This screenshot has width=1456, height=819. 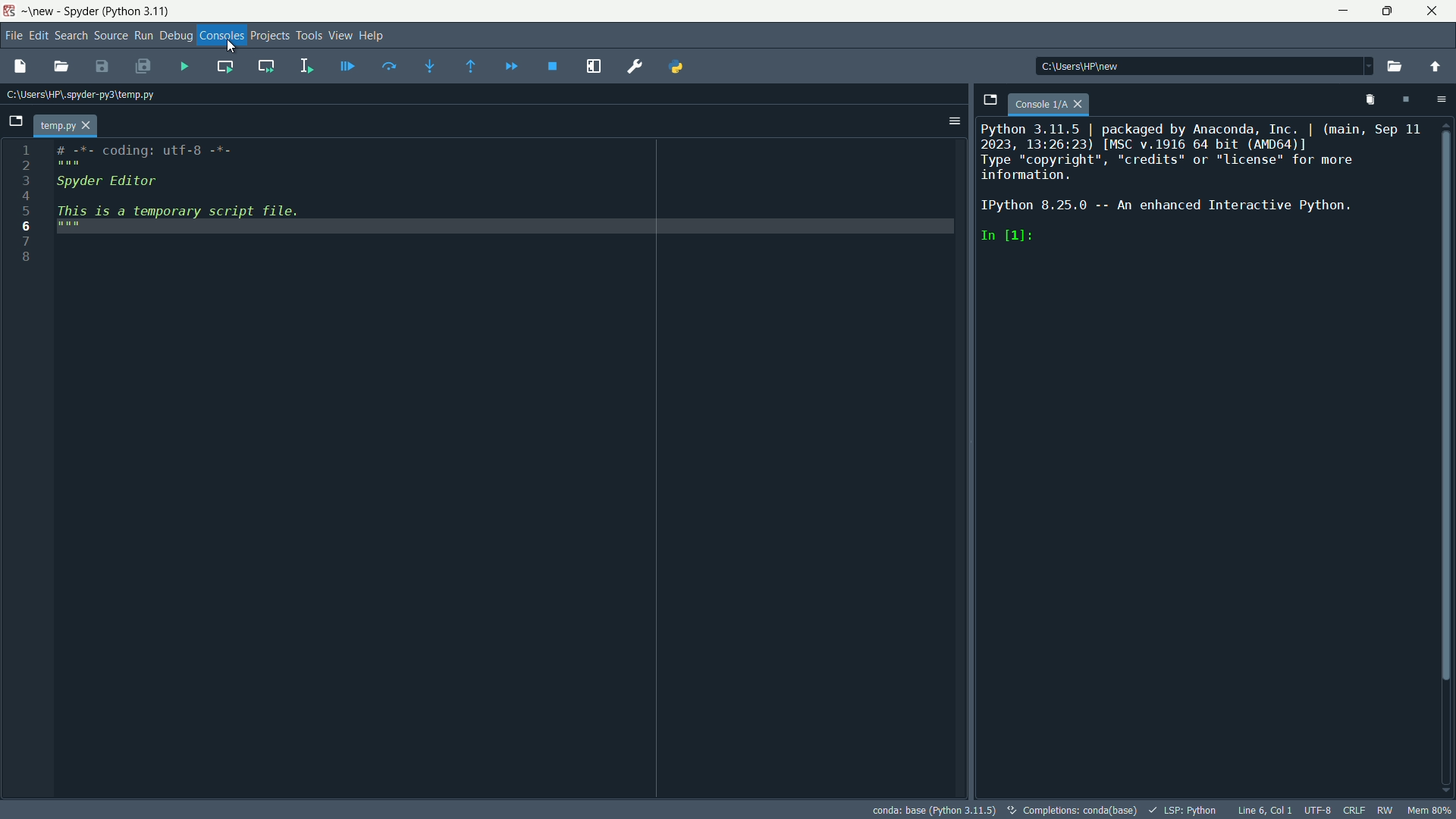 What do you see at coordinates (951, 120) in the screenshot?
I see `Options` at bounding box center [951, 120].